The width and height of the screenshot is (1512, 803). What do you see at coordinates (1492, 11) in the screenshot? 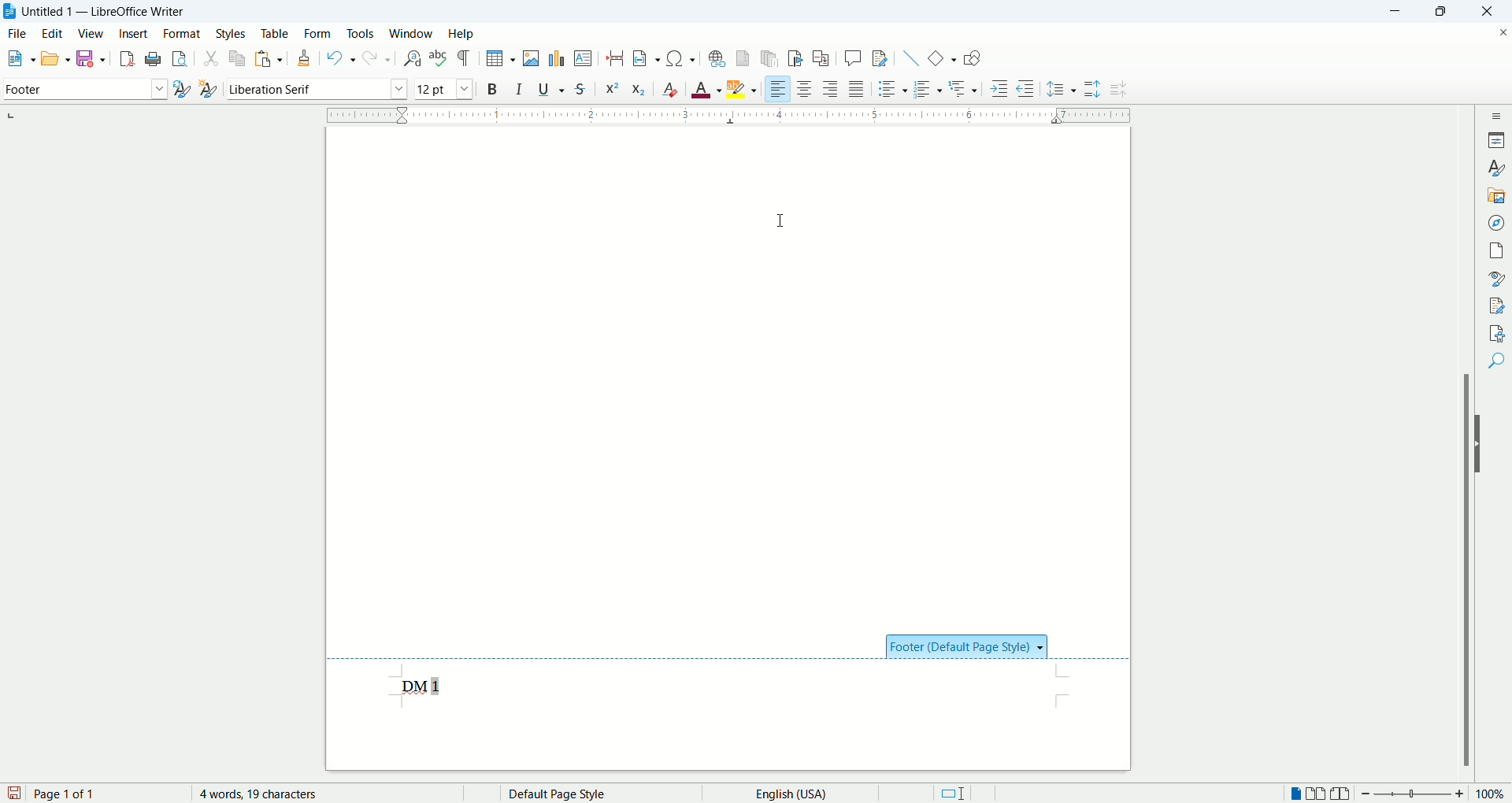
I see `close` at bounding box center [1492, 11].